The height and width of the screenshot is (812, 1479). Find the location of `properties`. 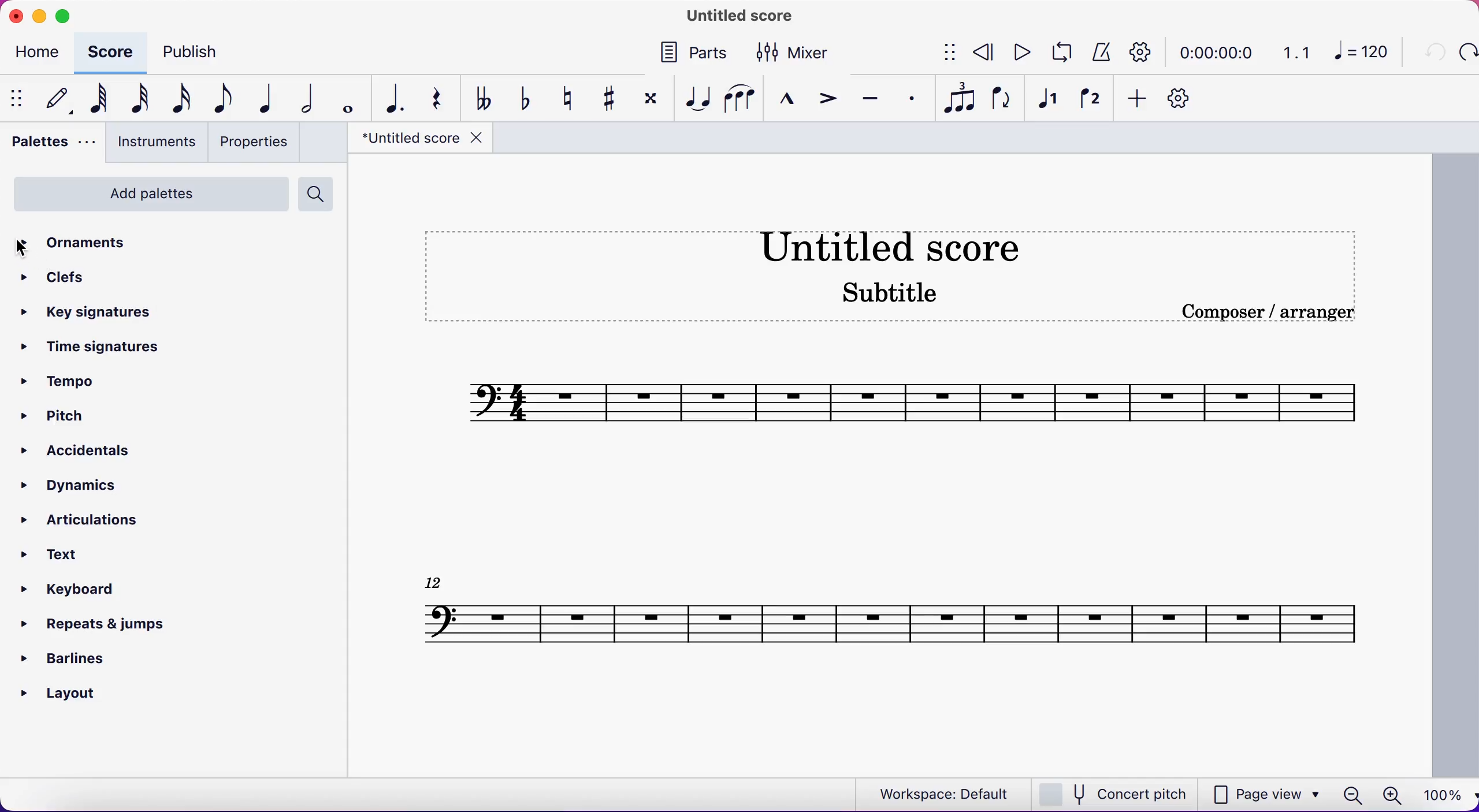

properties is located at coordinates (257, 144).